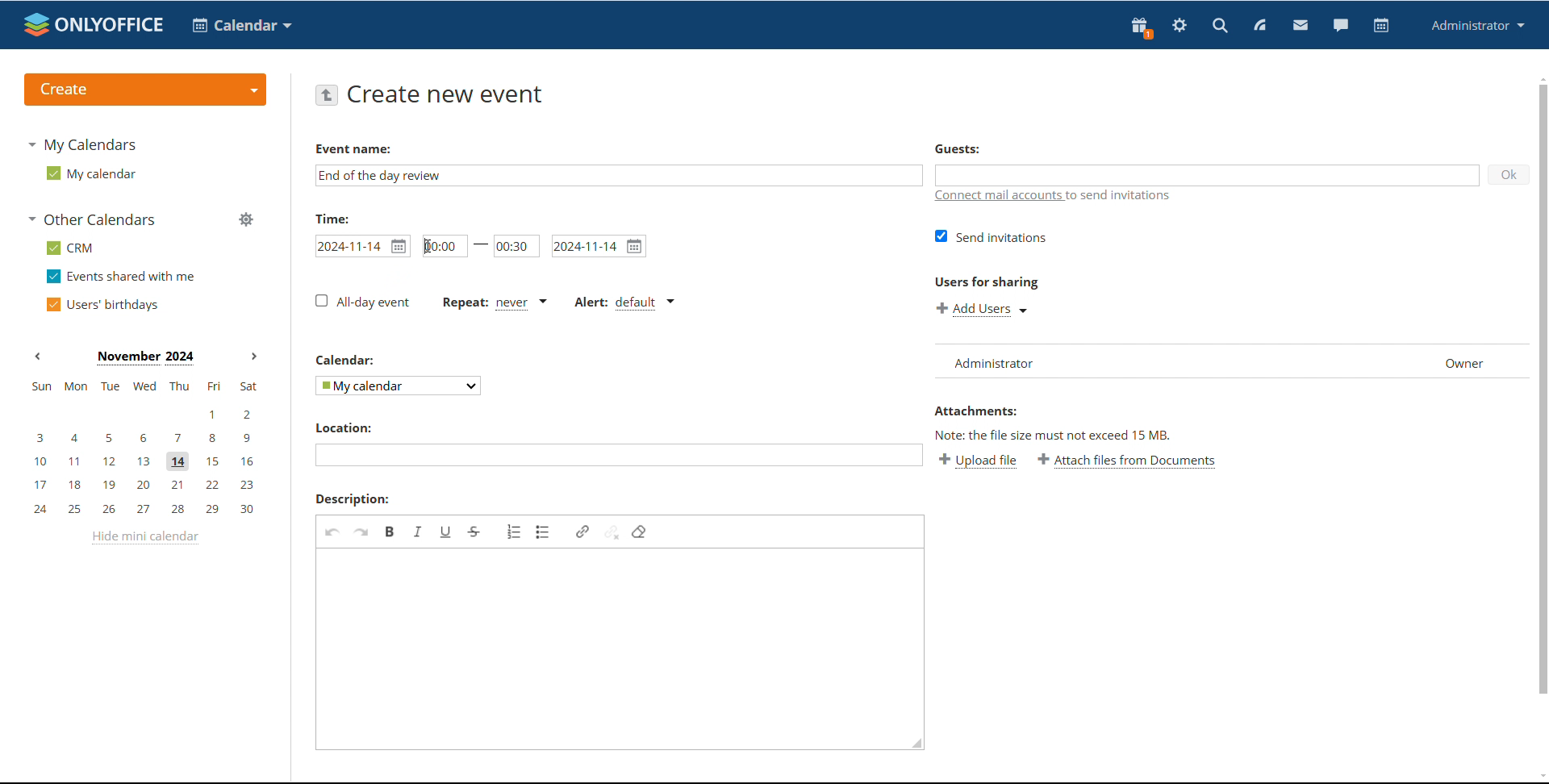 This screenshot has width=1549, height=784. What do you see at coordinates (148, 510) in the screenshot?
I see `24, 25, 26, 27, 28, 29, 30 ` at bounding box center [148, 510].